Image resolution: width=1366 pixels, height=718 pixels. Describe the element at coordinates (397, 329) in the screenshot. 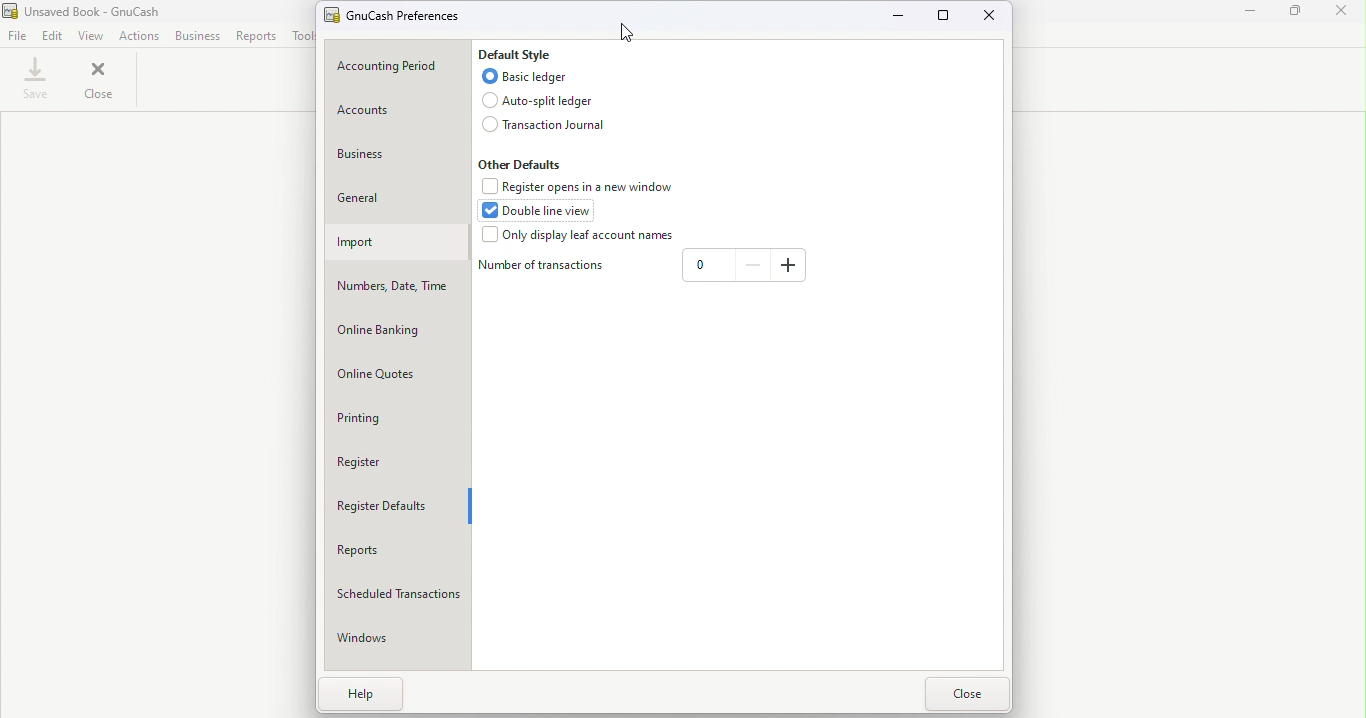

I see `Online Banking` at that location.